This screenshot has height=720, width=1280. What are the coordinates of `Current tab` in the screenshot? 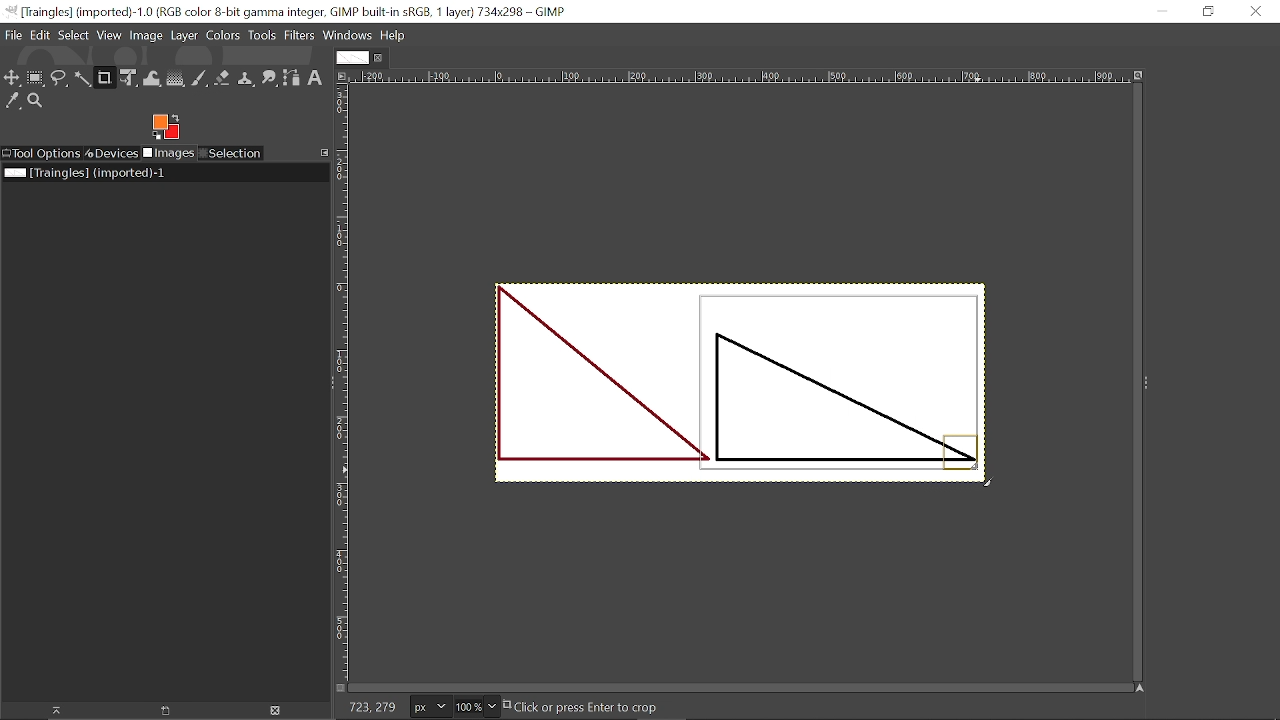 It's located at (350, 57).